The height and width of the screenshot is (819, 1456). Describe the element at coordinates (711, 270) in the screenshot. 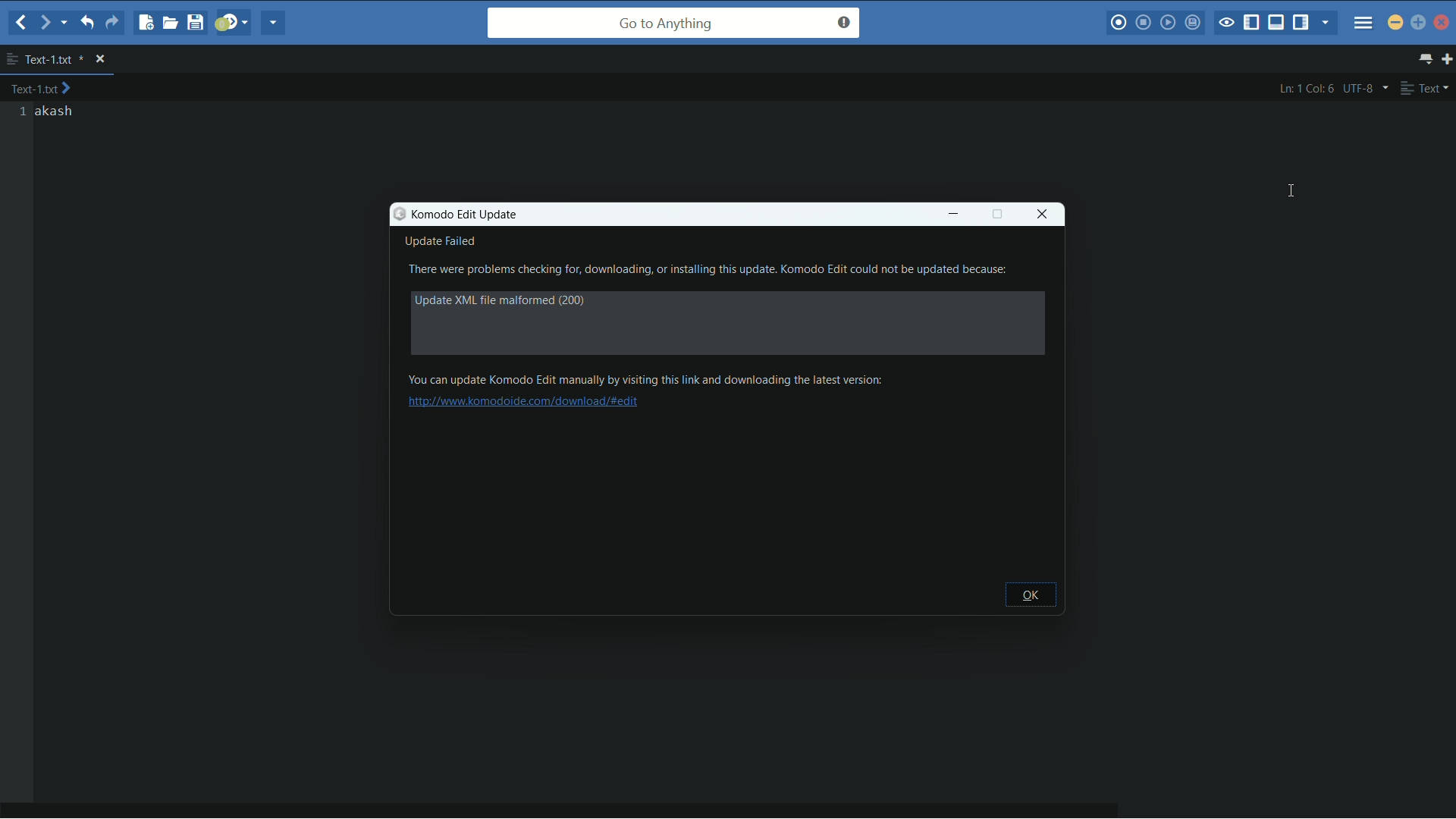

I see `text` at that location.